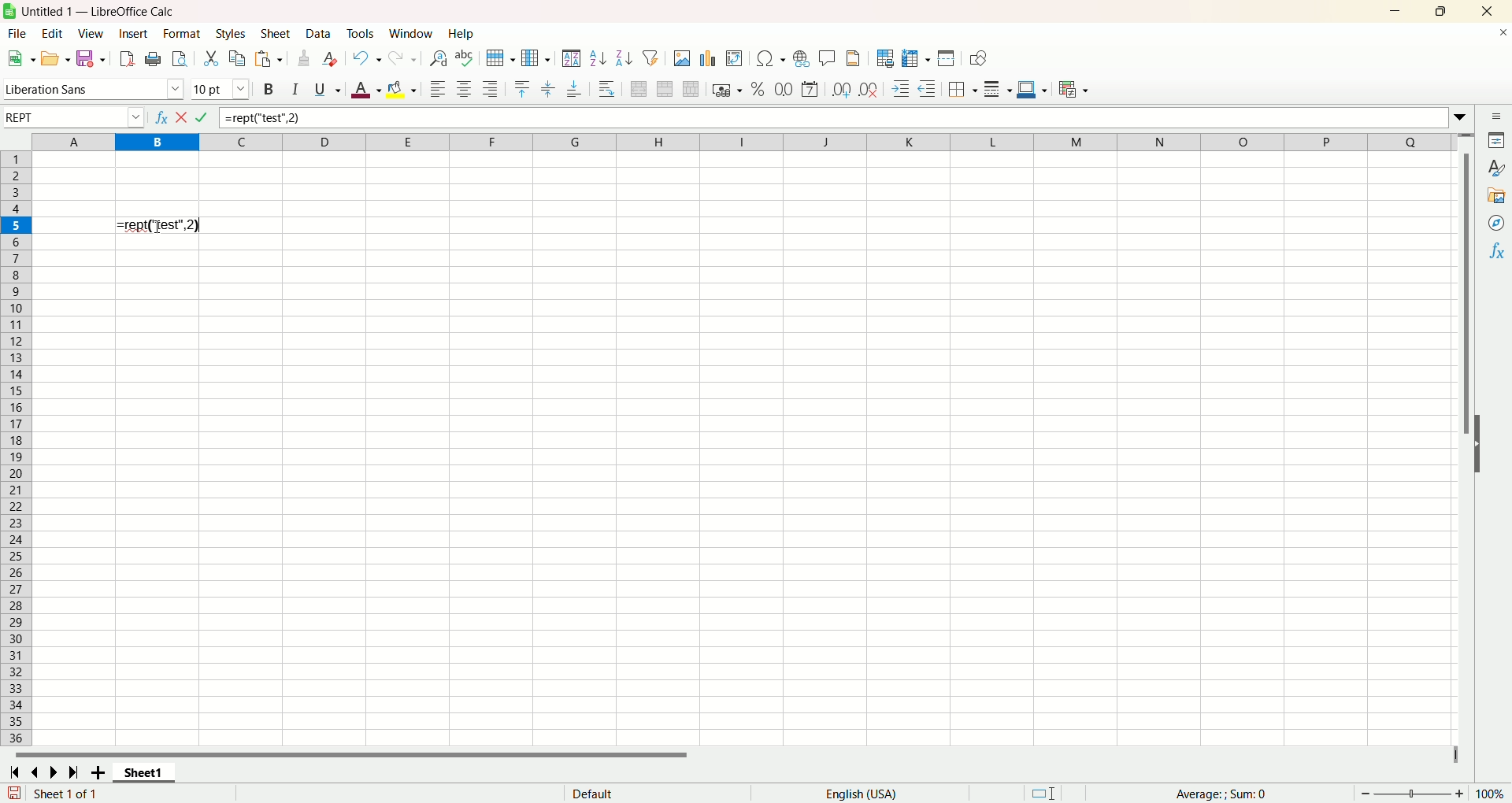  What do you see at coordinates (841, 90) in the screenshot?
I see `add decimal place` at bounding box center [841, 90].